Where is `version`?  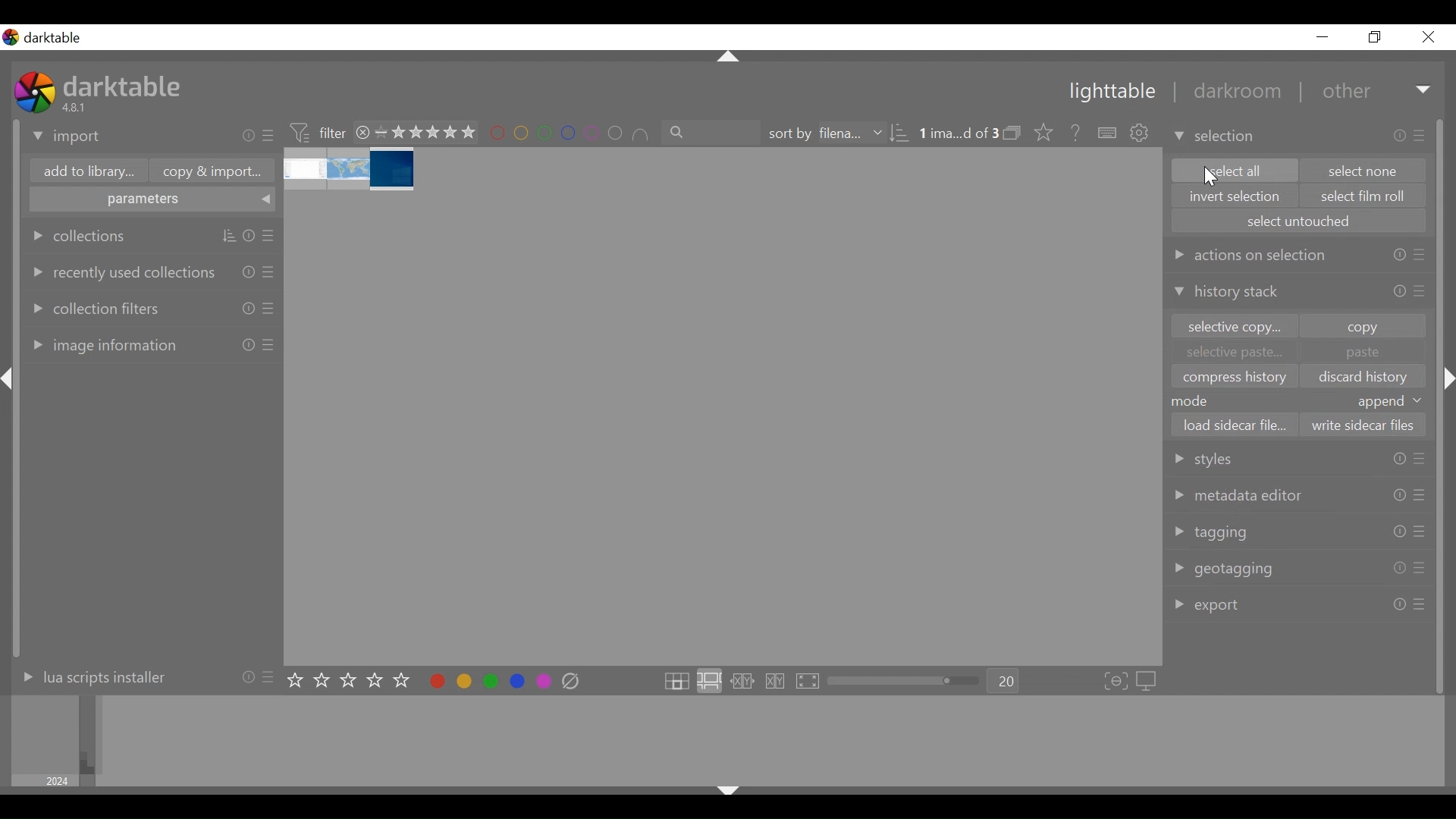 version is located at coordinates (77, 107).